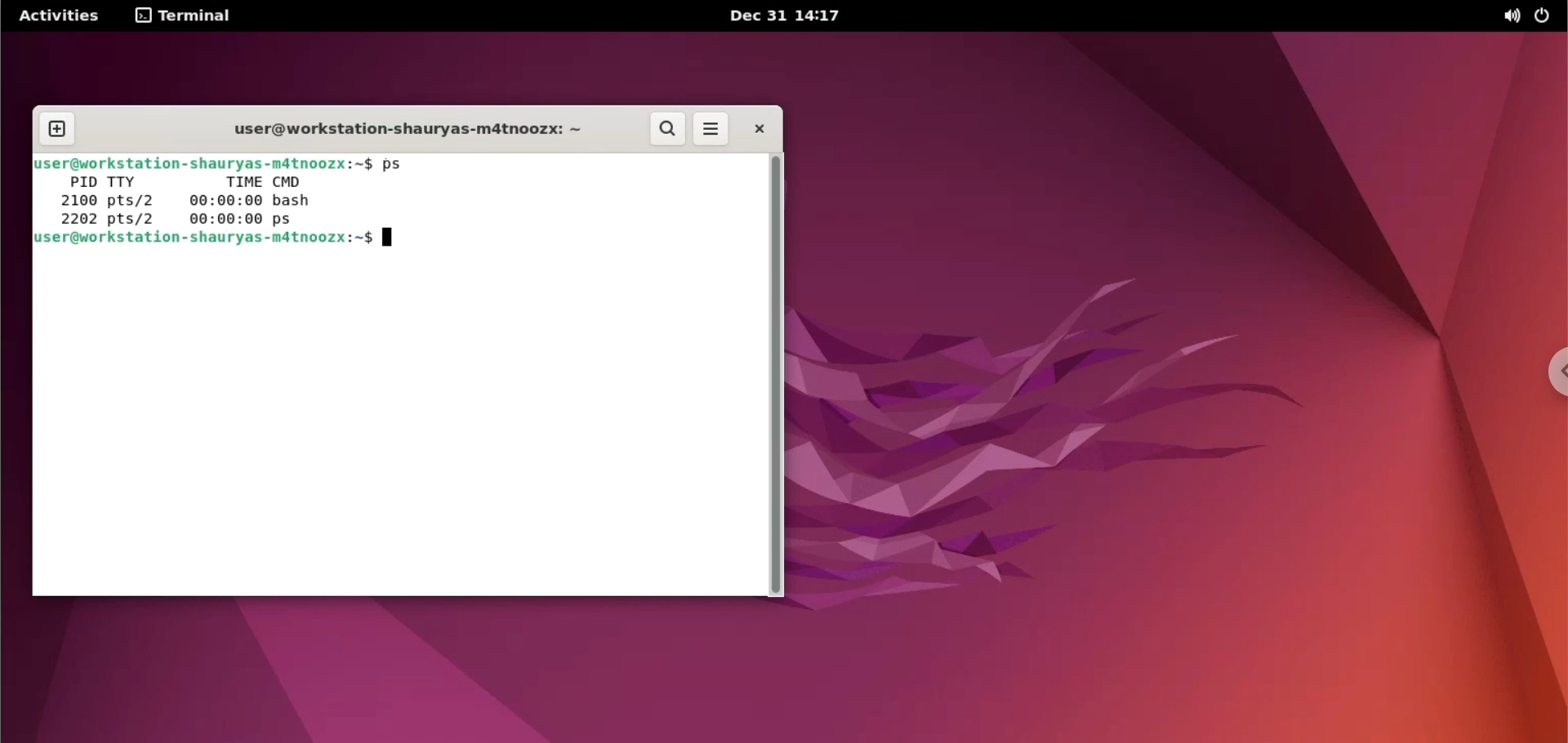 This screenshot has height=743, width=1568. Describe the element at coordinates (284, 220) in the screenshot. I see `ps` at that location.